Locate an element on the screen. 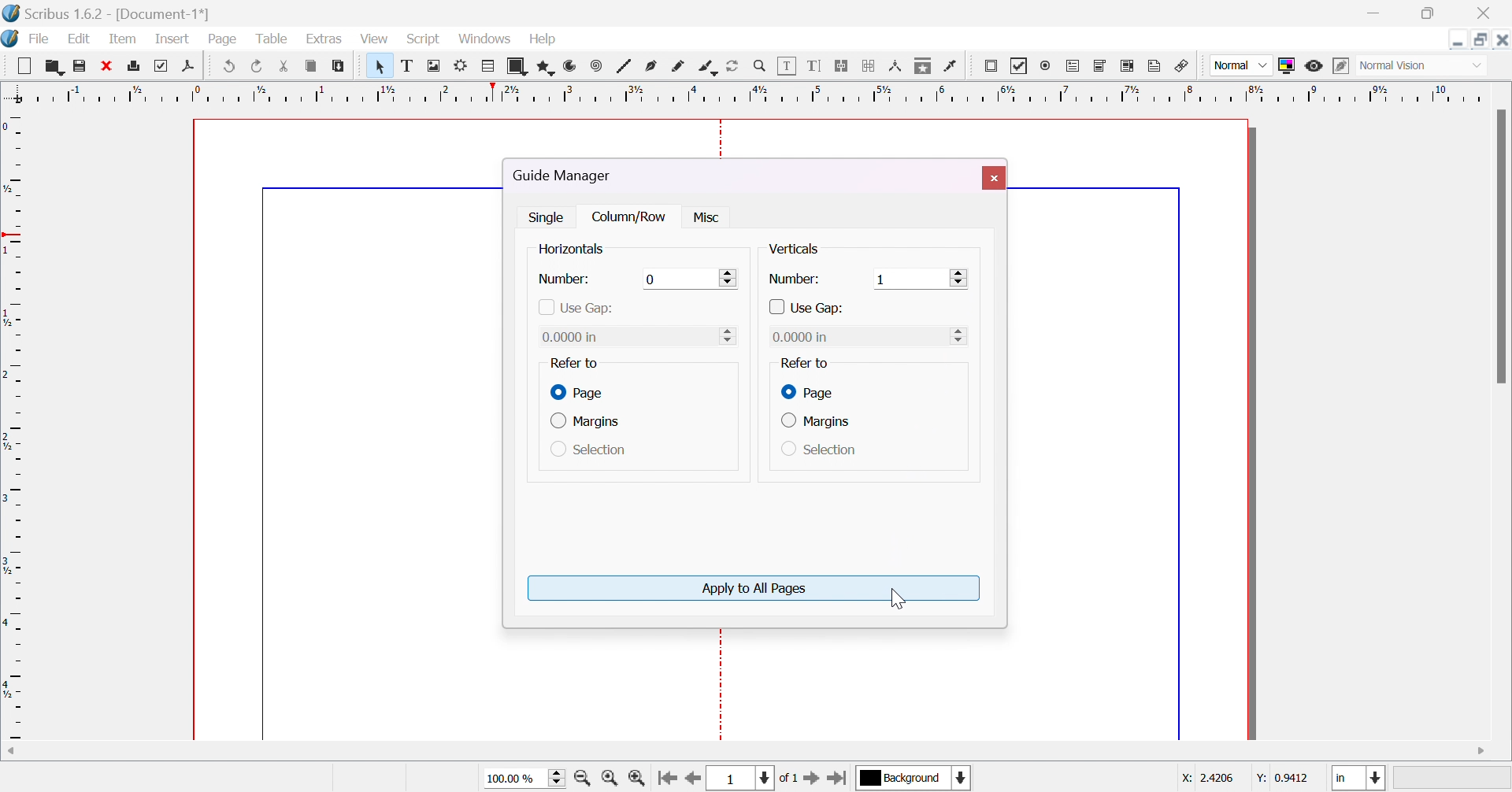 This screenshot has height=792, width=1512. save is located at coordinates (78, 67).